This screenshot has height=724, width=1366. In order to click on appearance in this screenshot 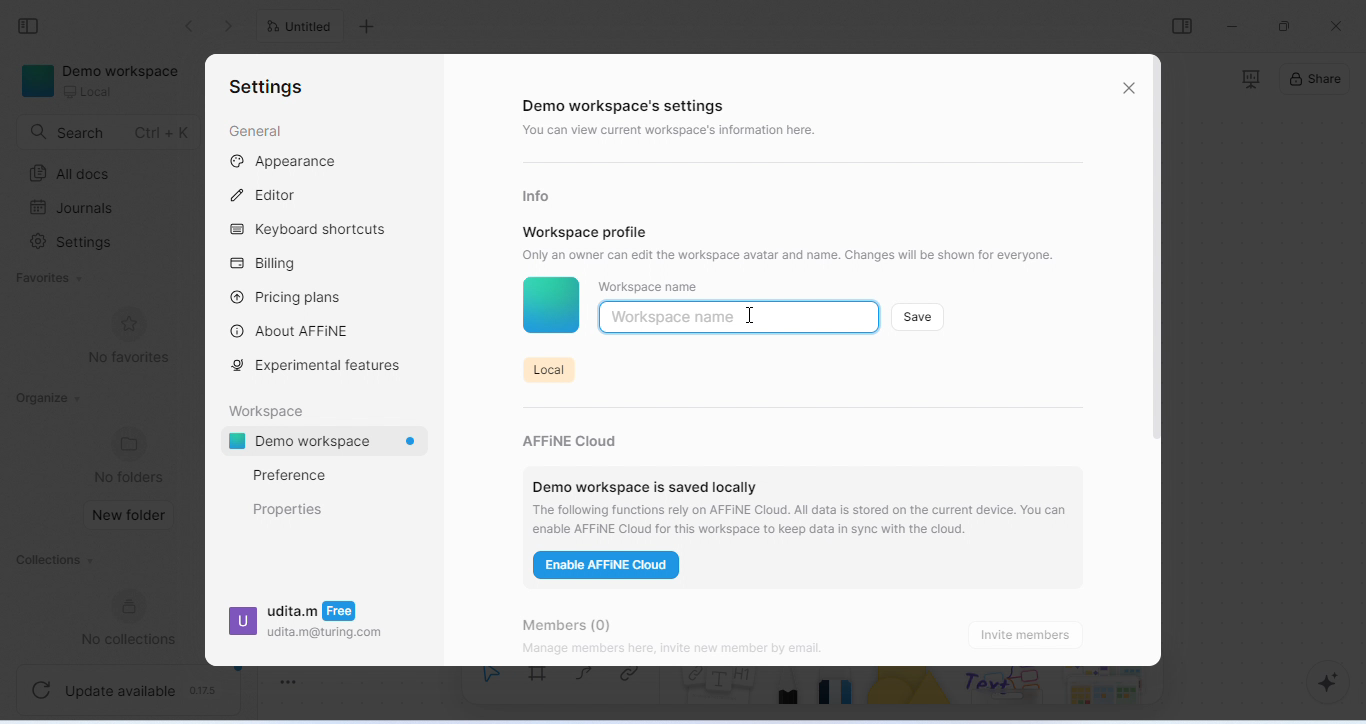, I will do `click(285, 162)`.